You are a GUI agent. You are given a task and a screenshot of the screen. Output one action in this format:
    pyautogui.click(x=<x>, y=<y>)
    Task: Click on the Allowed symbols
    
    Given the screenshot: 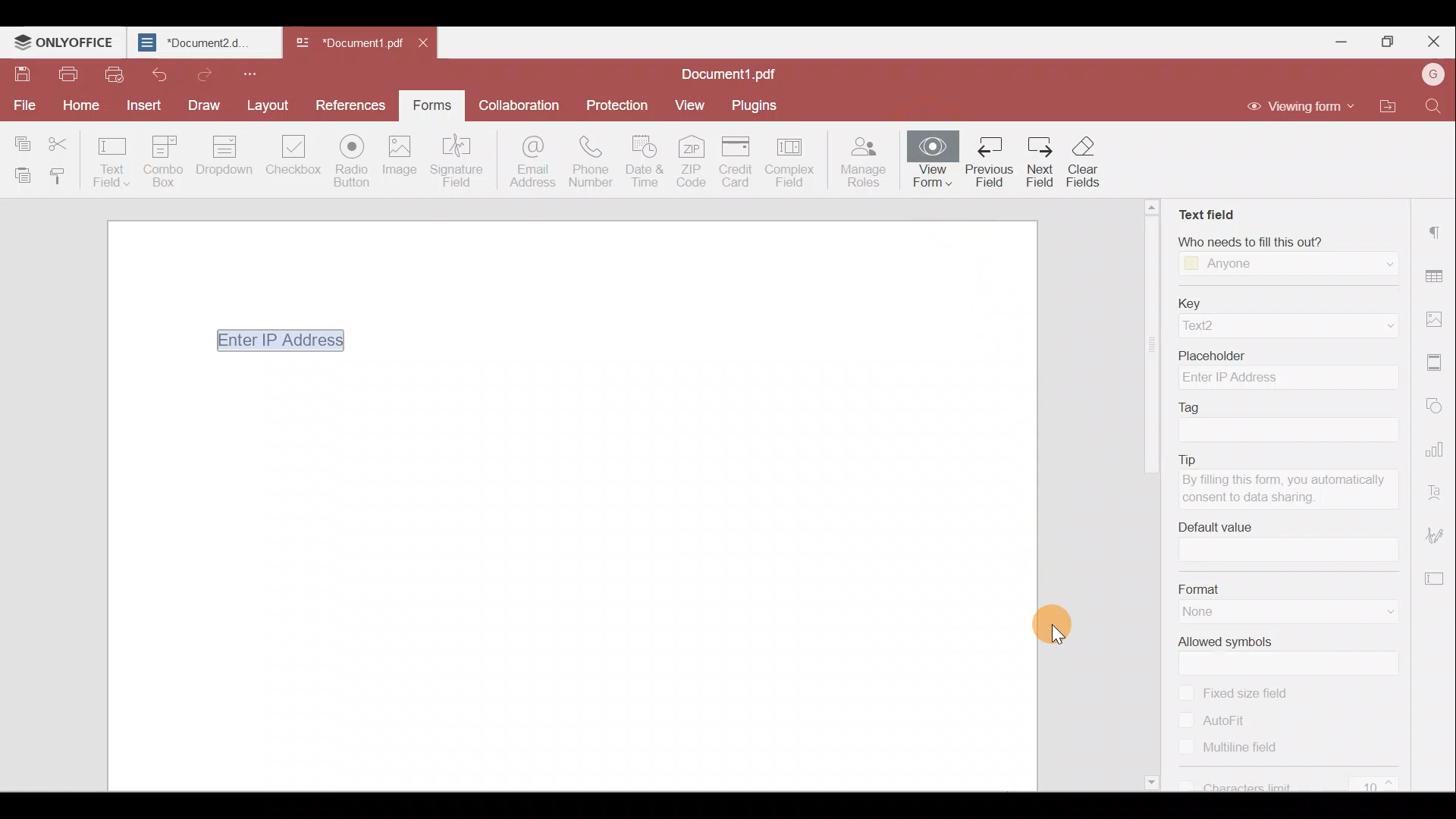 What is the action you would take?
    pyautogui.click(x=1228, y=642)
    